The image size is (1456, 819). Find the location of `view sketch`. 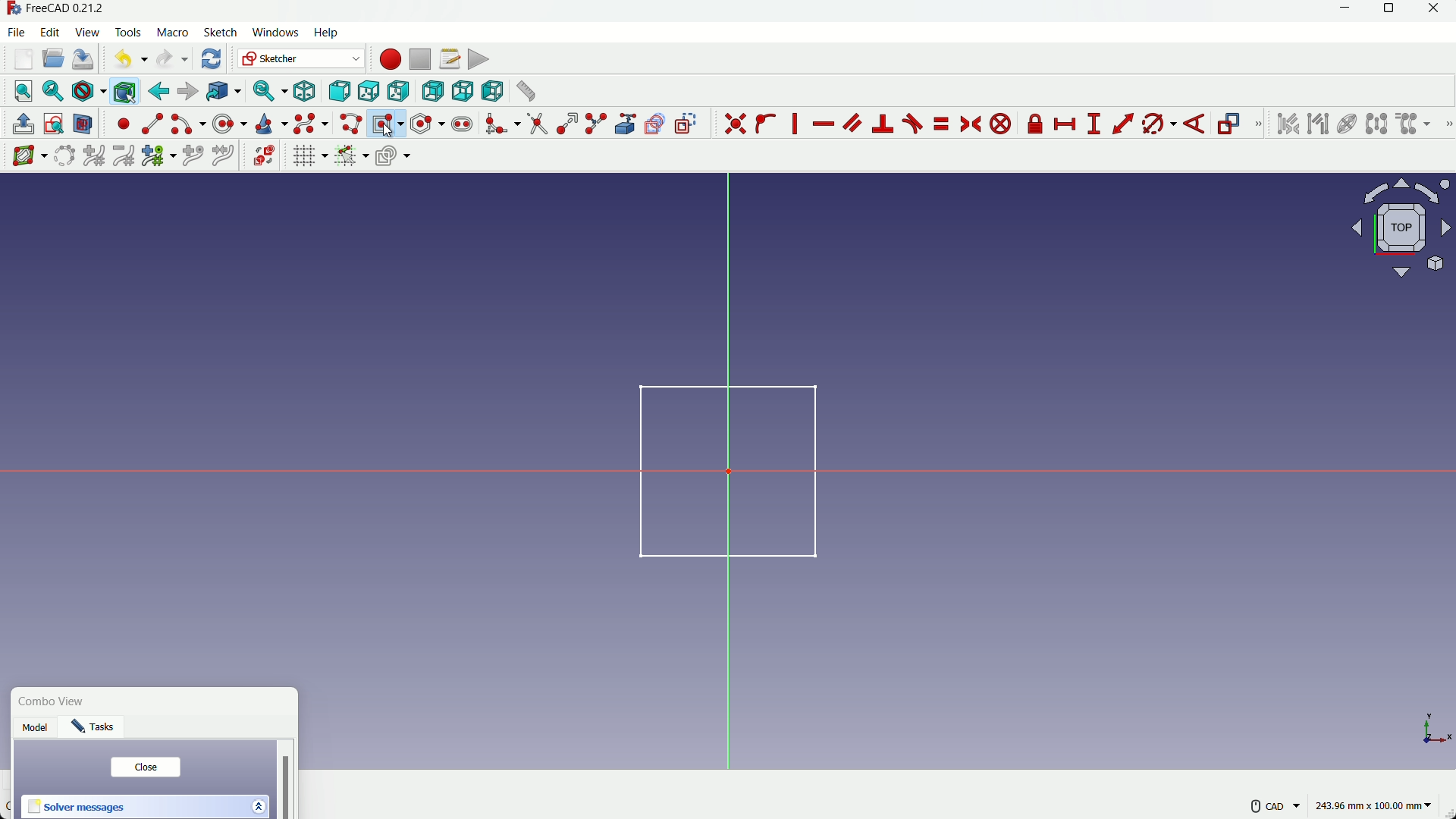

view sketch is located at coordinates (55, 125).